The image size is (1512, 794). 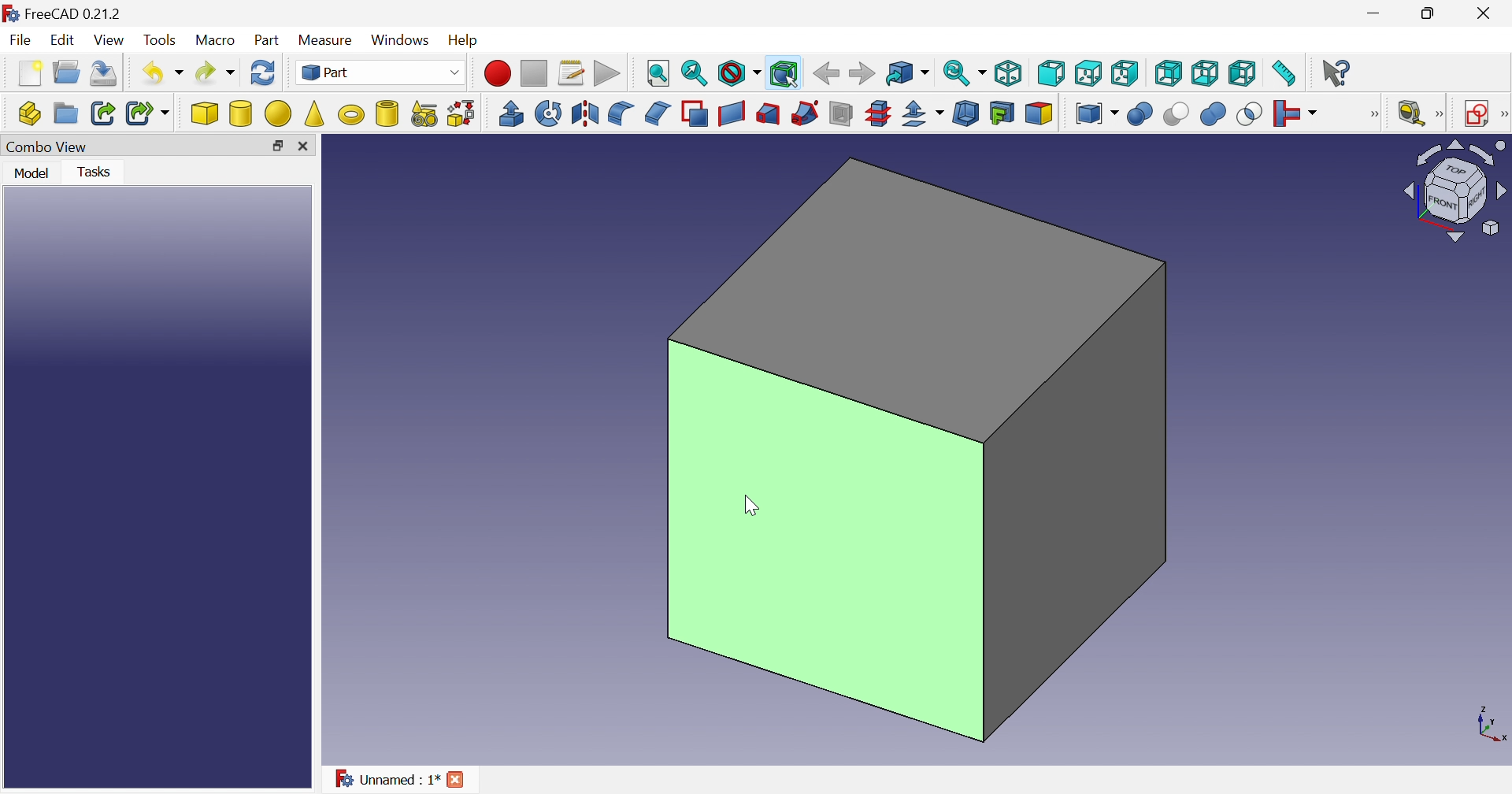 I want to click on Box bounding, so click(x=785, y=75).